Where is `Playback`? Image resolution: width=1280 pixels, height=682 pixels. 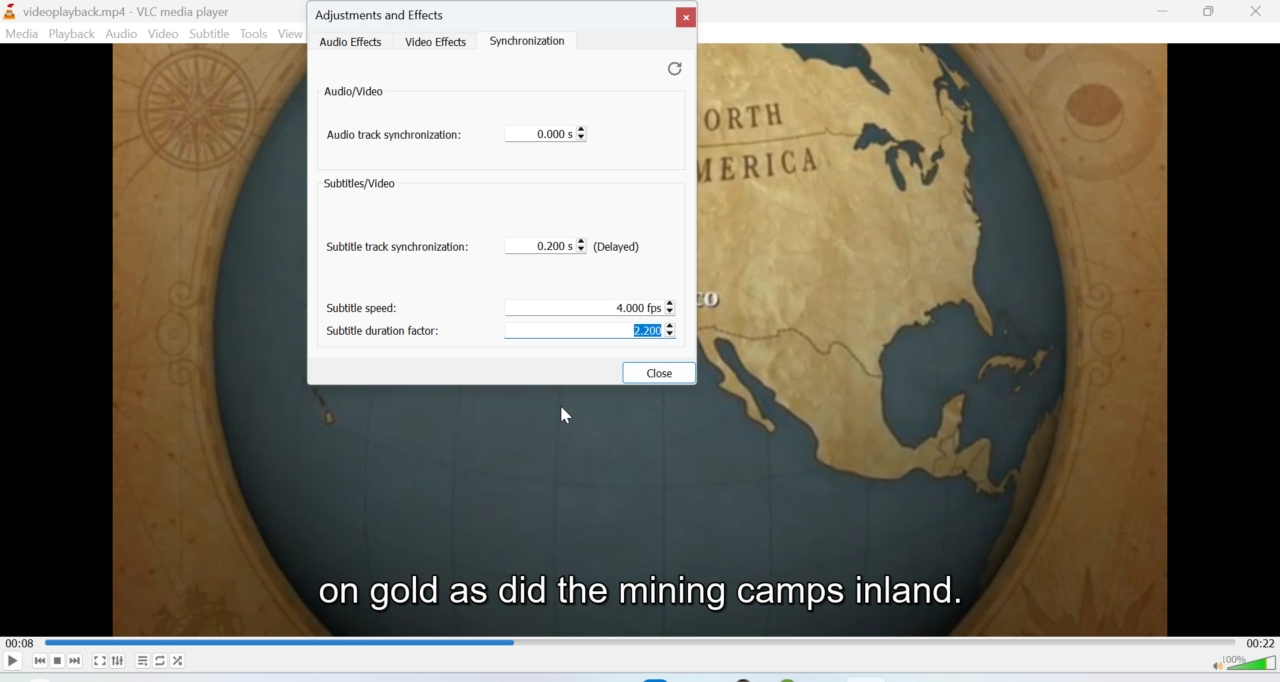 Playback is located at coordinates (72, 34).